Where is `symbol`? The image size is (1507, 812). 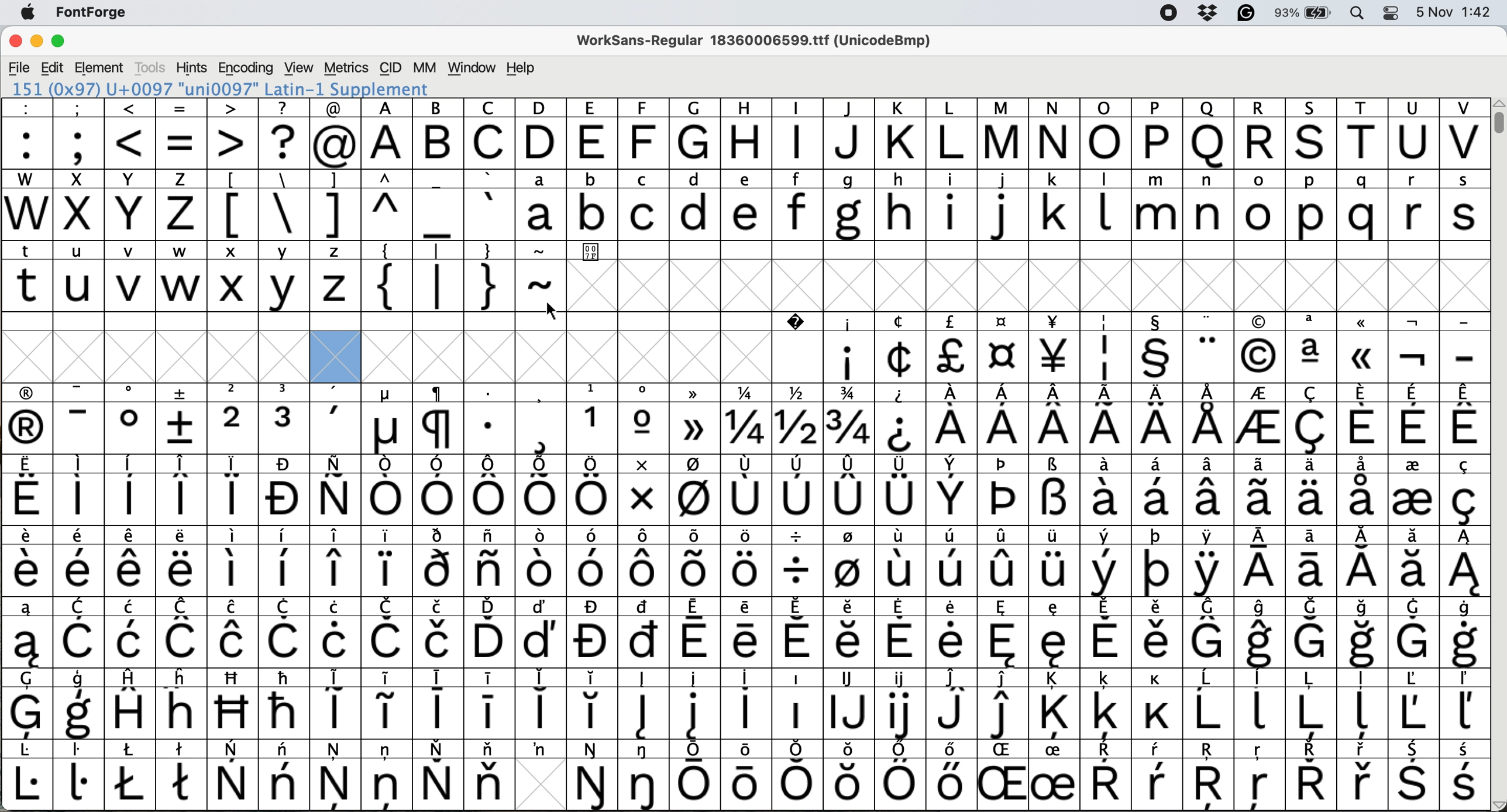 symbol is located at coordinates (1412, 489).